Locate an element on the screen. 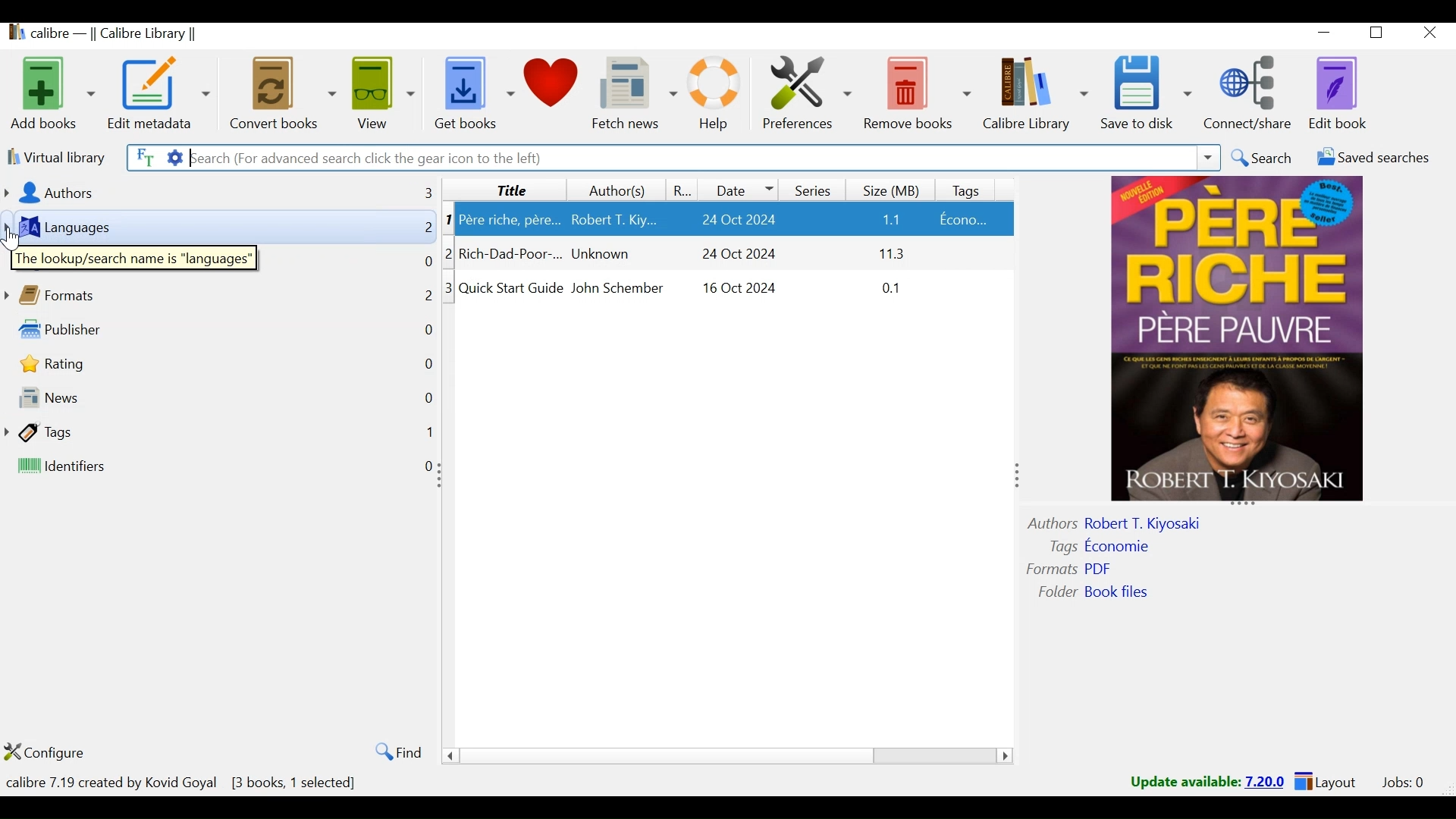  7.20.0 is located at coordinates (1266, 780).